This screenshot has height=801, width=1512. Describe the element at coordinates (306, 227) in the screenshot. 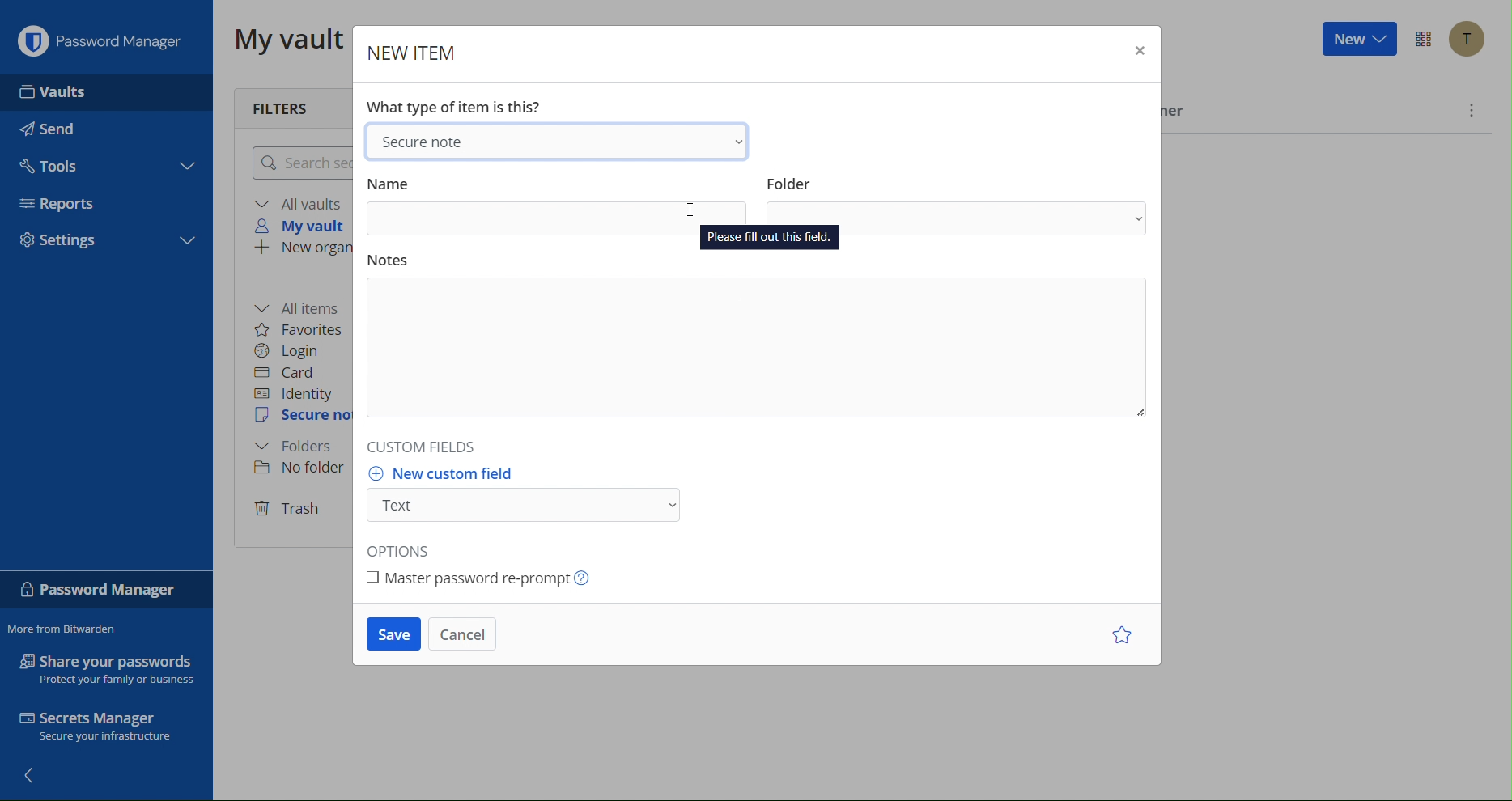

I see `My vault` at that location.